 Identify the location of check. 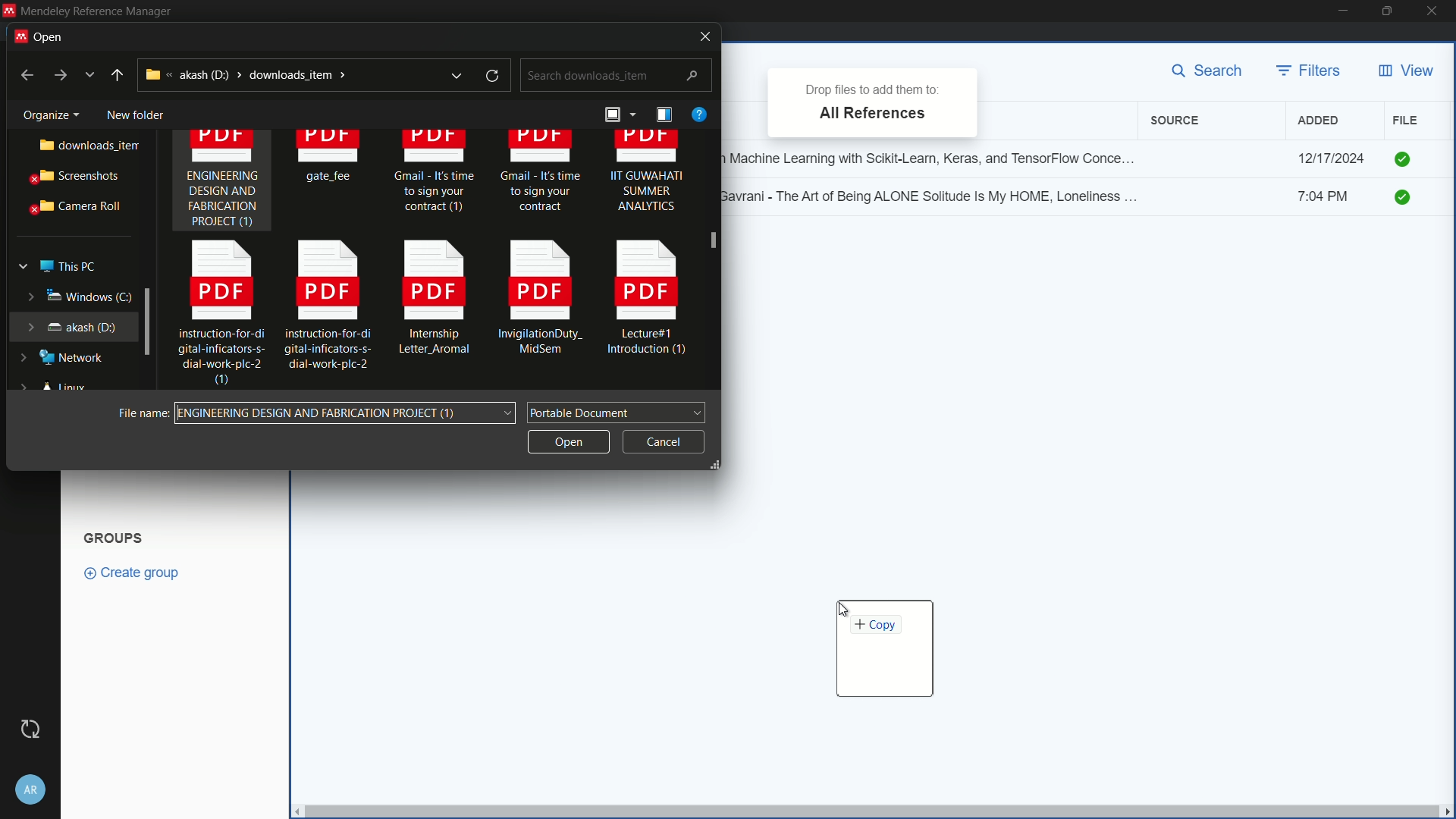
(1407, 199).